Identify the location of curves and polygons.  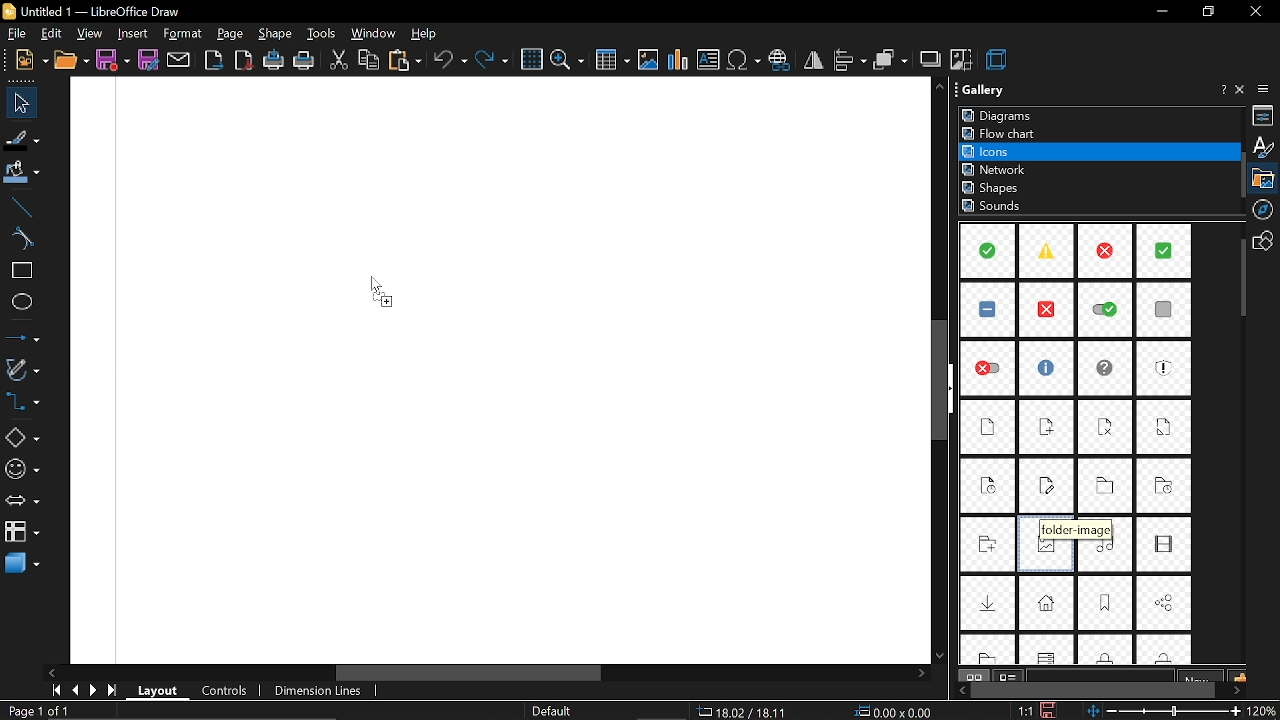
(22, 370).